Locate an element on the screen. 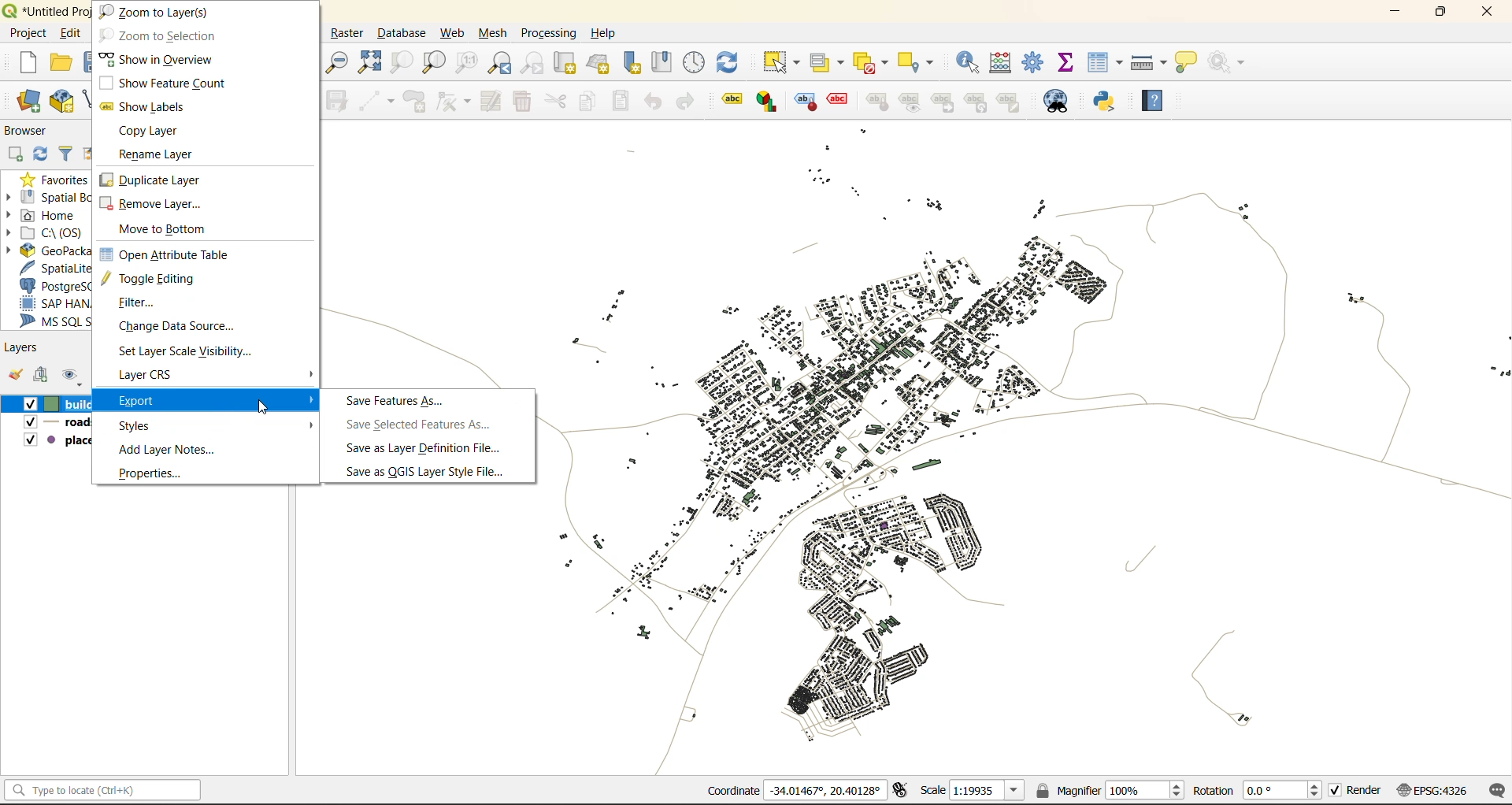 This screenshot has width=1512, height=805. export is located at coordinates (161, 401).